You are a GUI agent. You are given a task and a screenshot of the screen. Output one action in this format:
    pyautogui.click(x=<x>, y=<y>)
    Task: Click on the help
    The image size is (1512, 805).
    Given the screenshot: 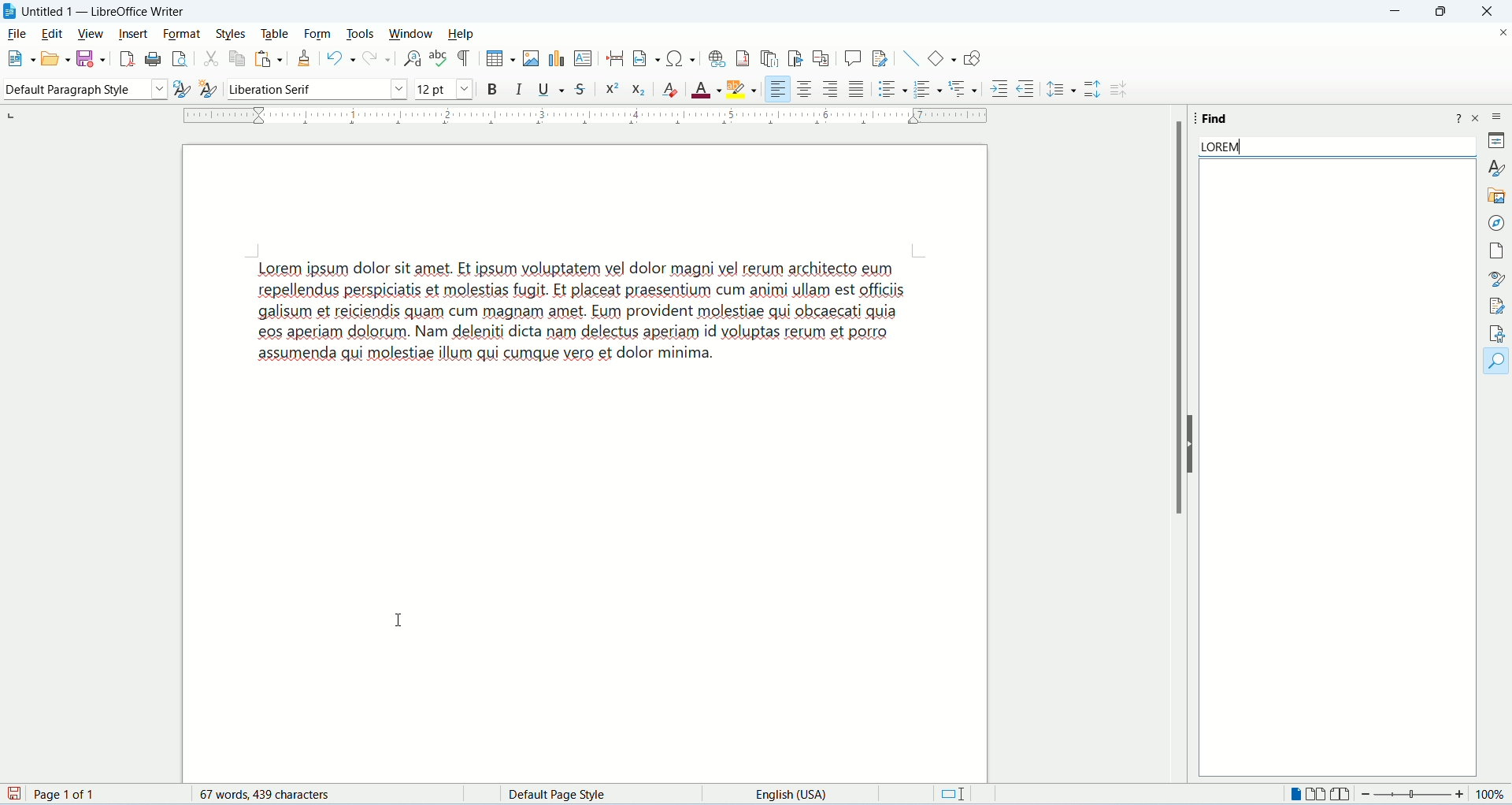 What is the action you would take?
    pyautogui.click(x=1459, y=119)
    